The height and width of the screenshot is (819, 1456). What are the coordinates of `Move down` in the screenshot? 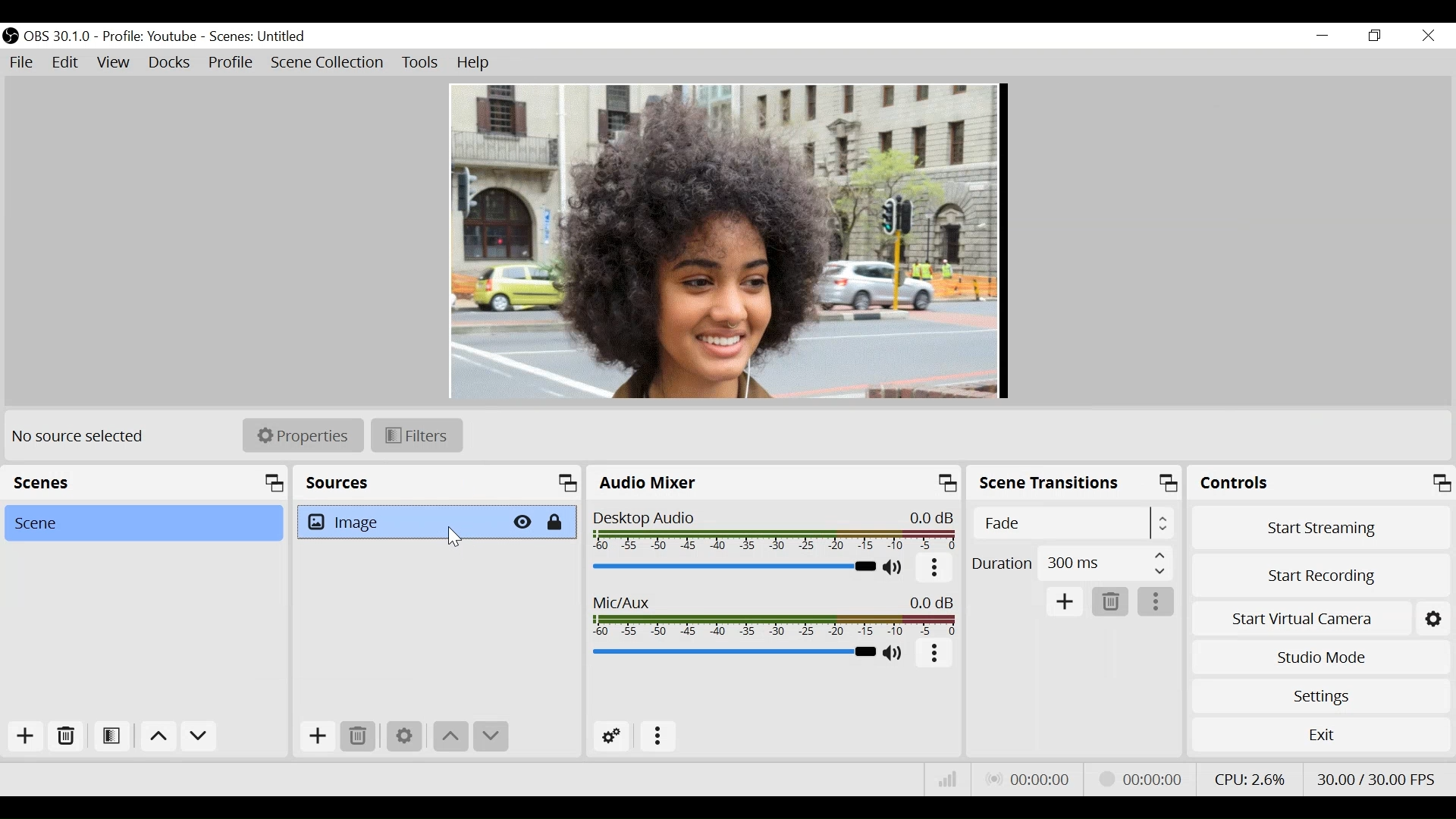 It's located at (201, 737).